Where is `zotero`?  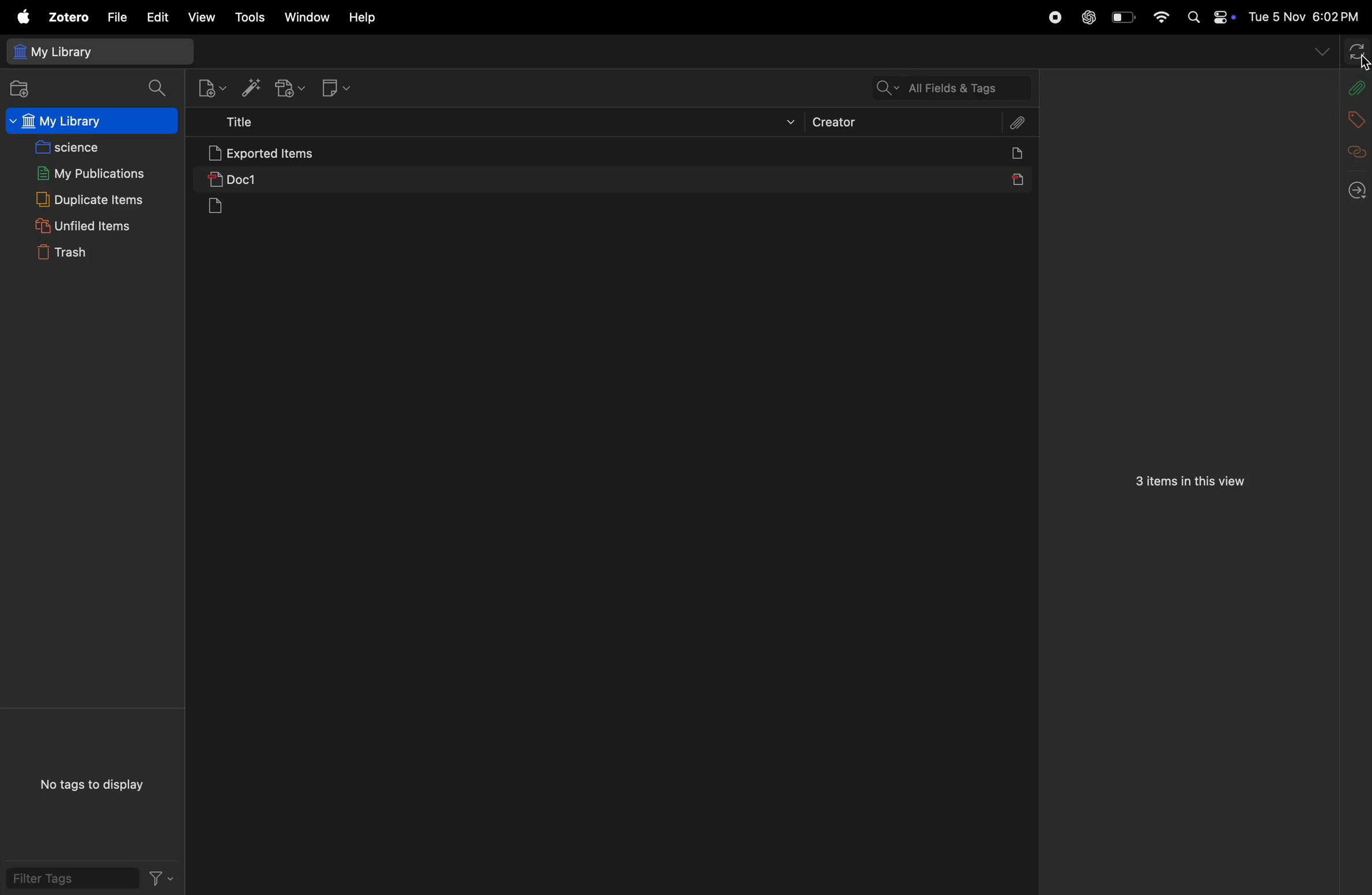
zotero is located at coordinates (65, 18).